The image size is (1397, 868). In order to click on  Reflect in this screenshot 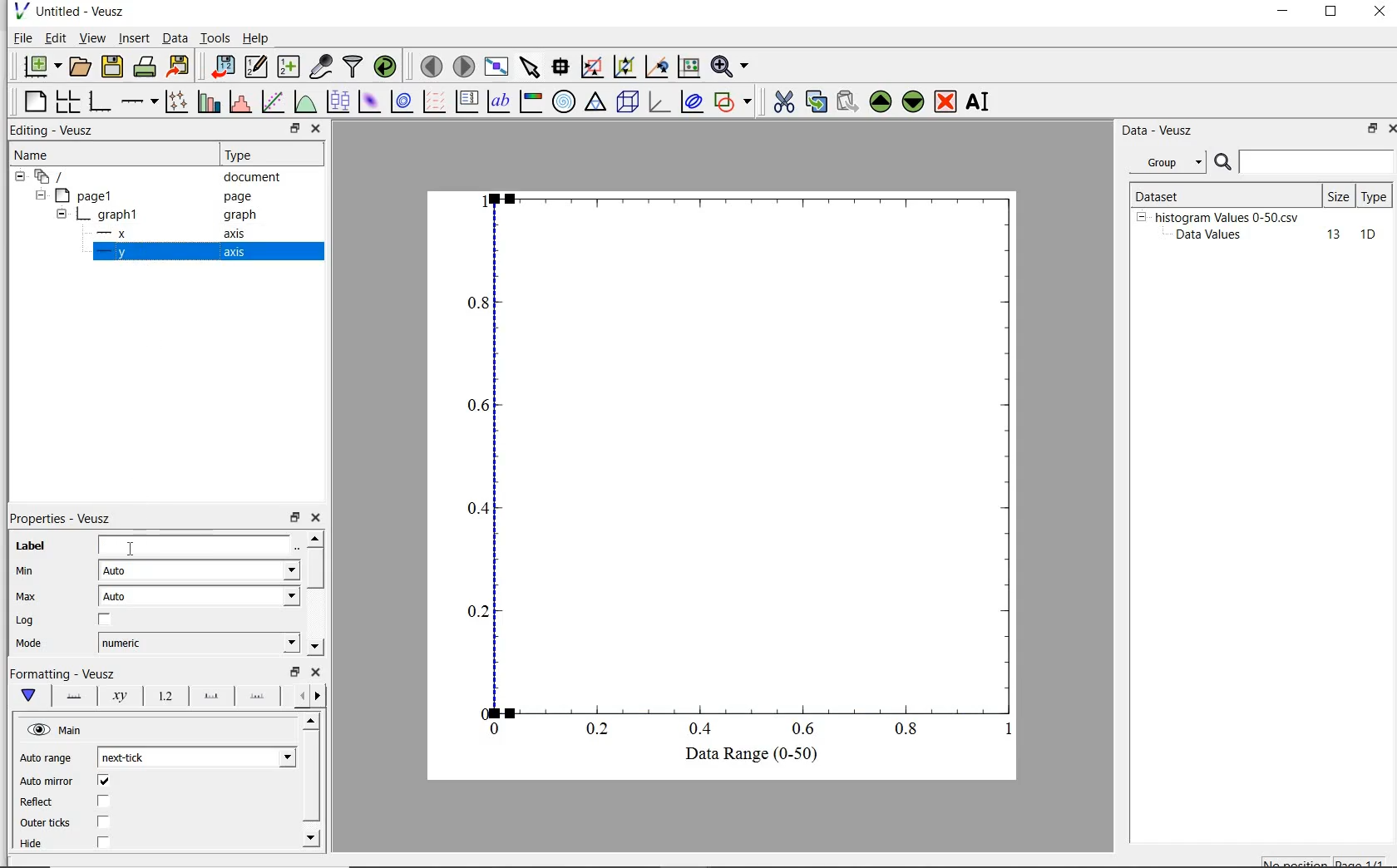, I will do `click(39, 802)`.